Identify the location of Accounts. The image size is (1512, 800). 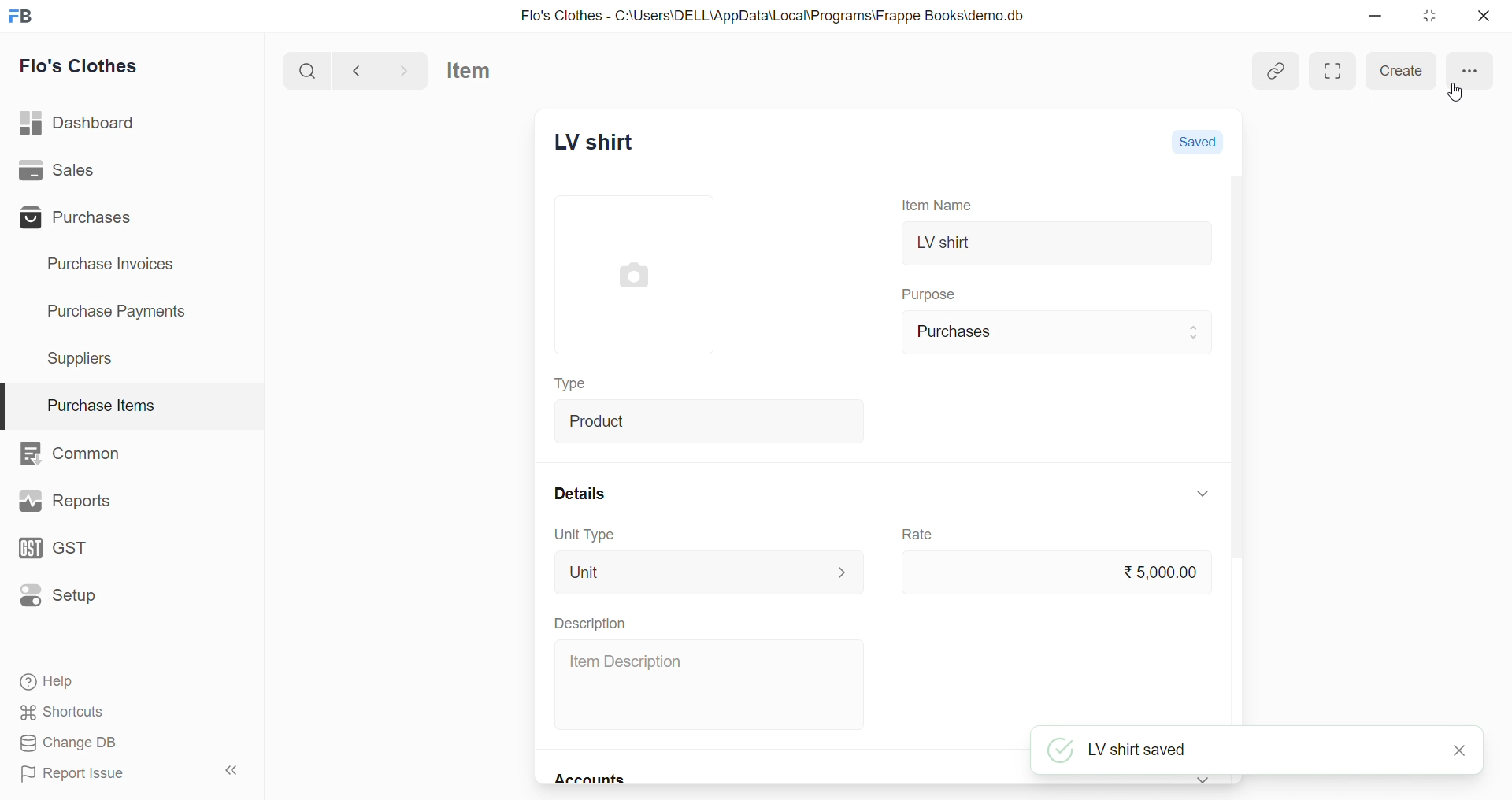
(595, 780).